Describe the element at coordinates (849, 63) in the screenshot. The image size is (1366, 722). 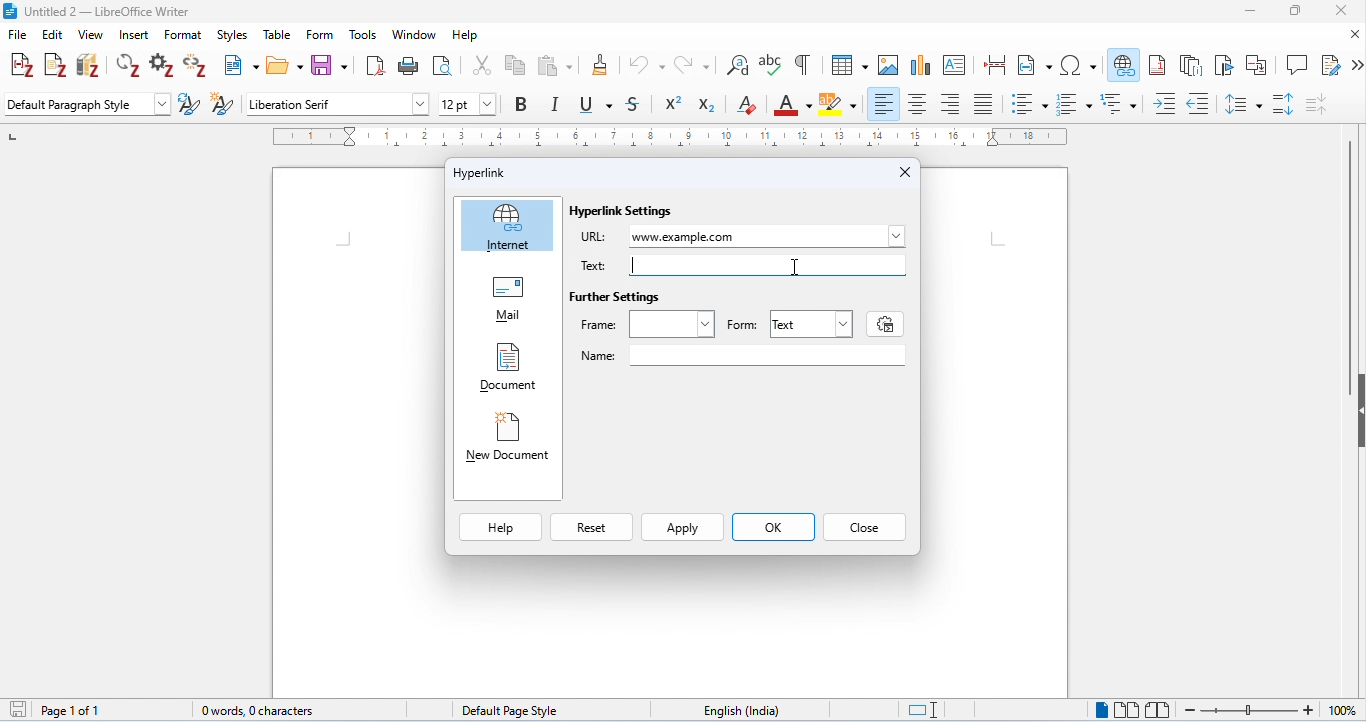
I see `insert table` at that location.